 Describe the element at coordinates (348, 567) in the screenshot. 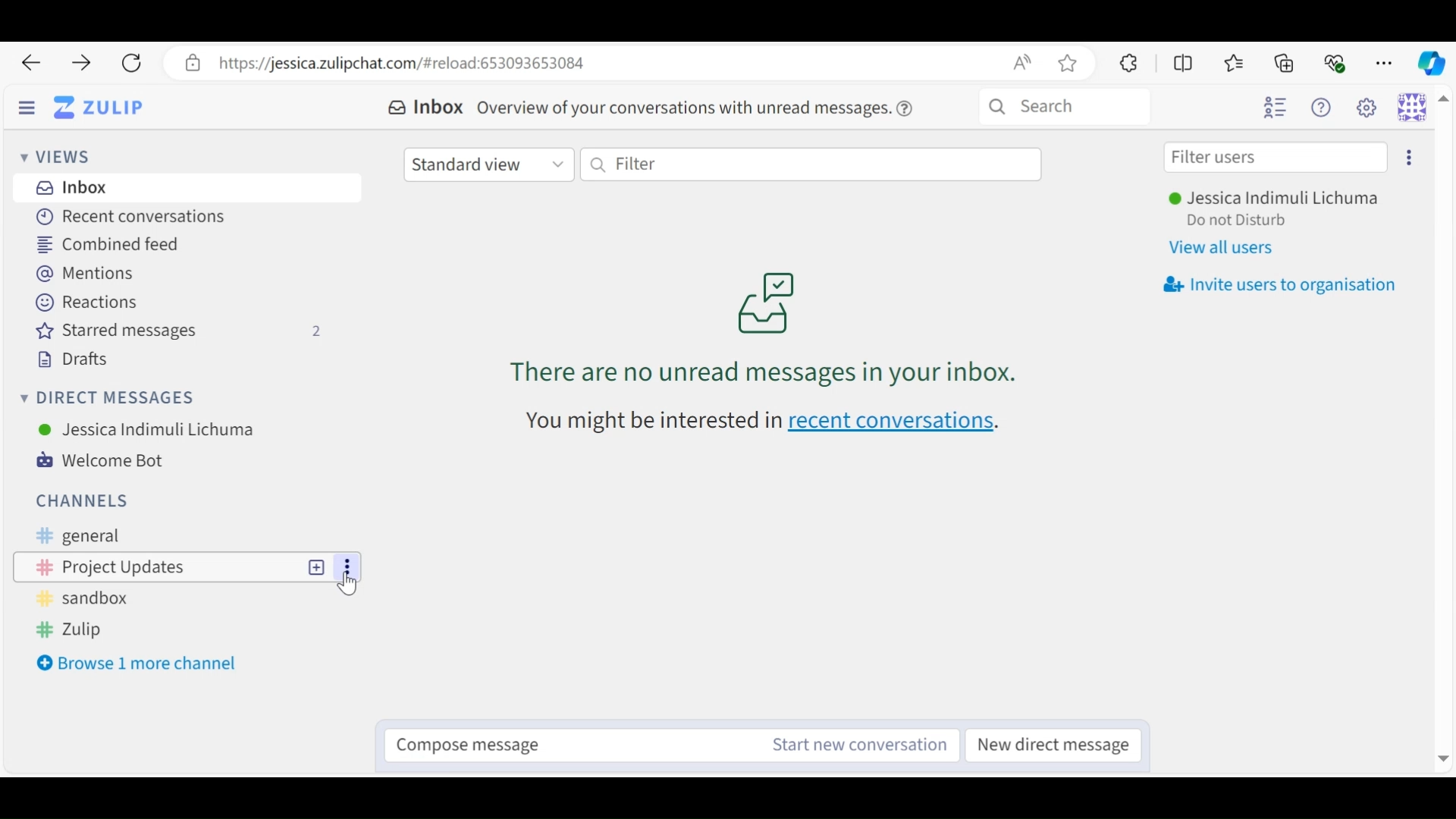

I see `More Options` at that location.